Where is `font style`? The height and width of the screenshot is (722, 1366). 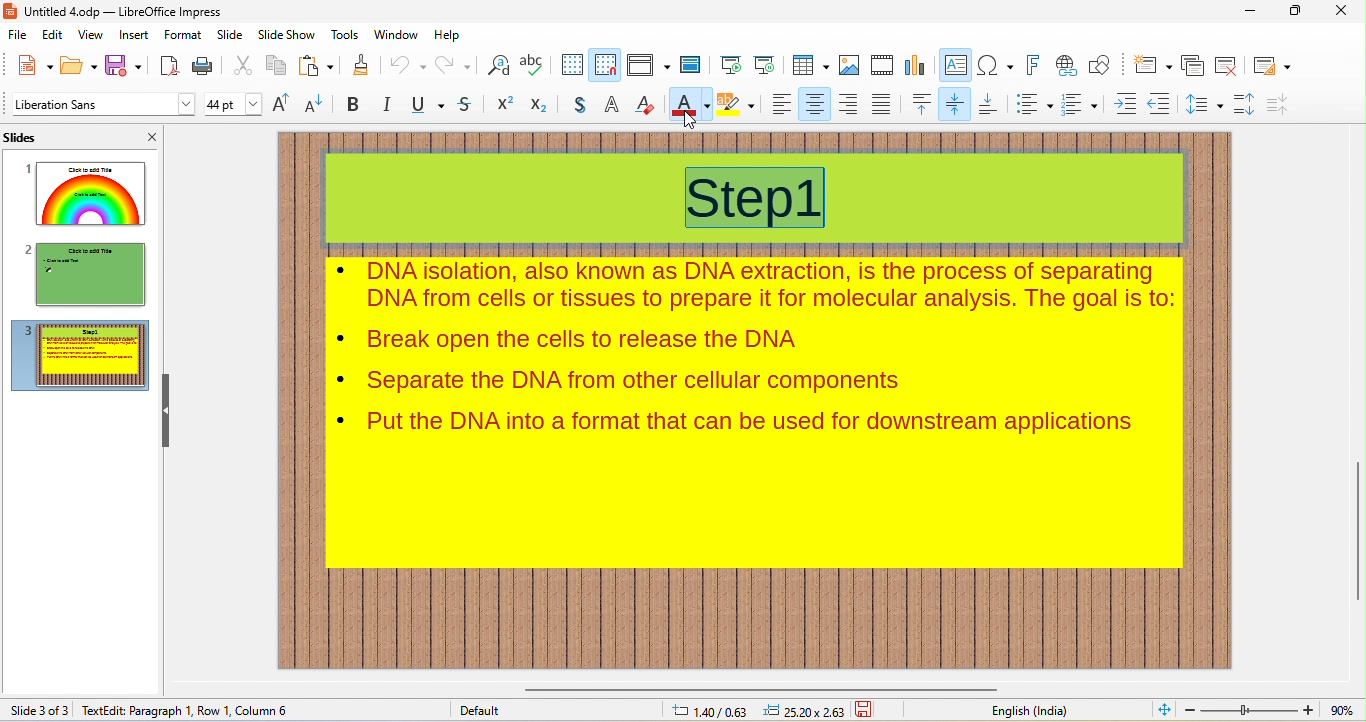 font style is located at coordinates (102, 106).